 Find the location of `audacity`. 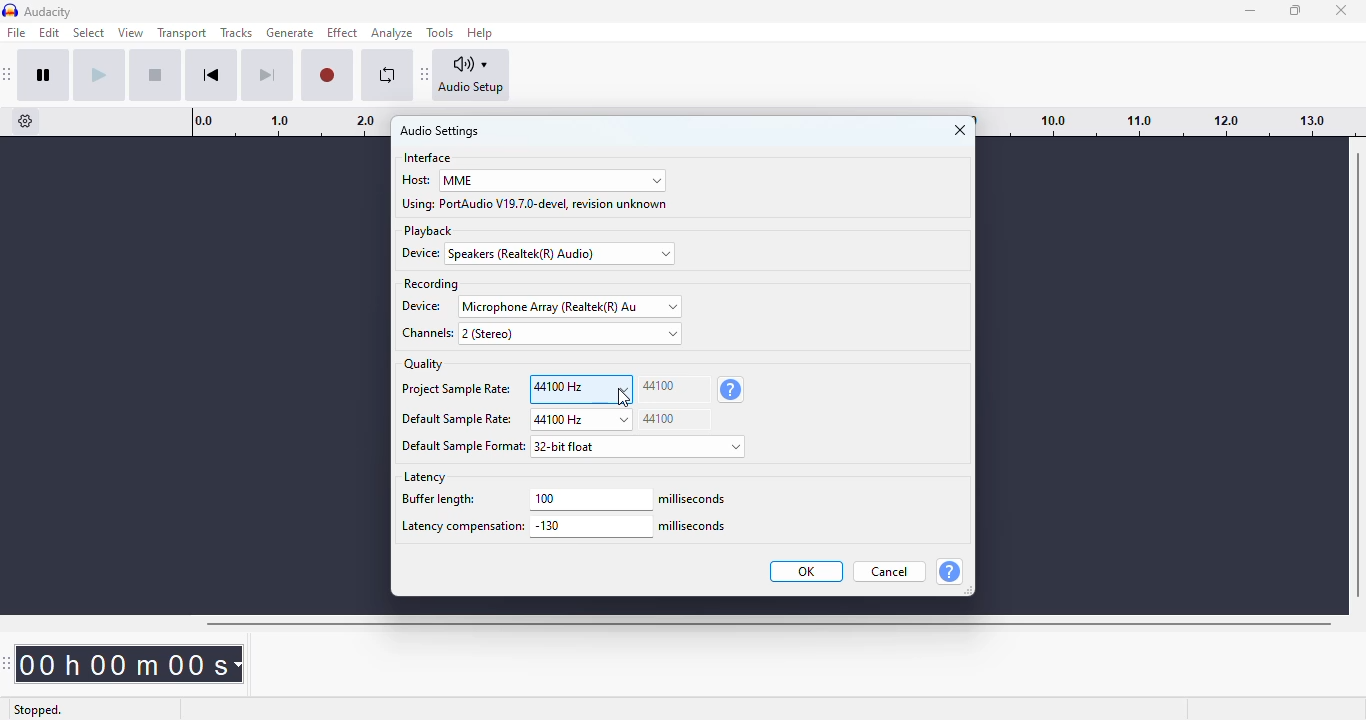

audacity is located at coordinates (49, 12).